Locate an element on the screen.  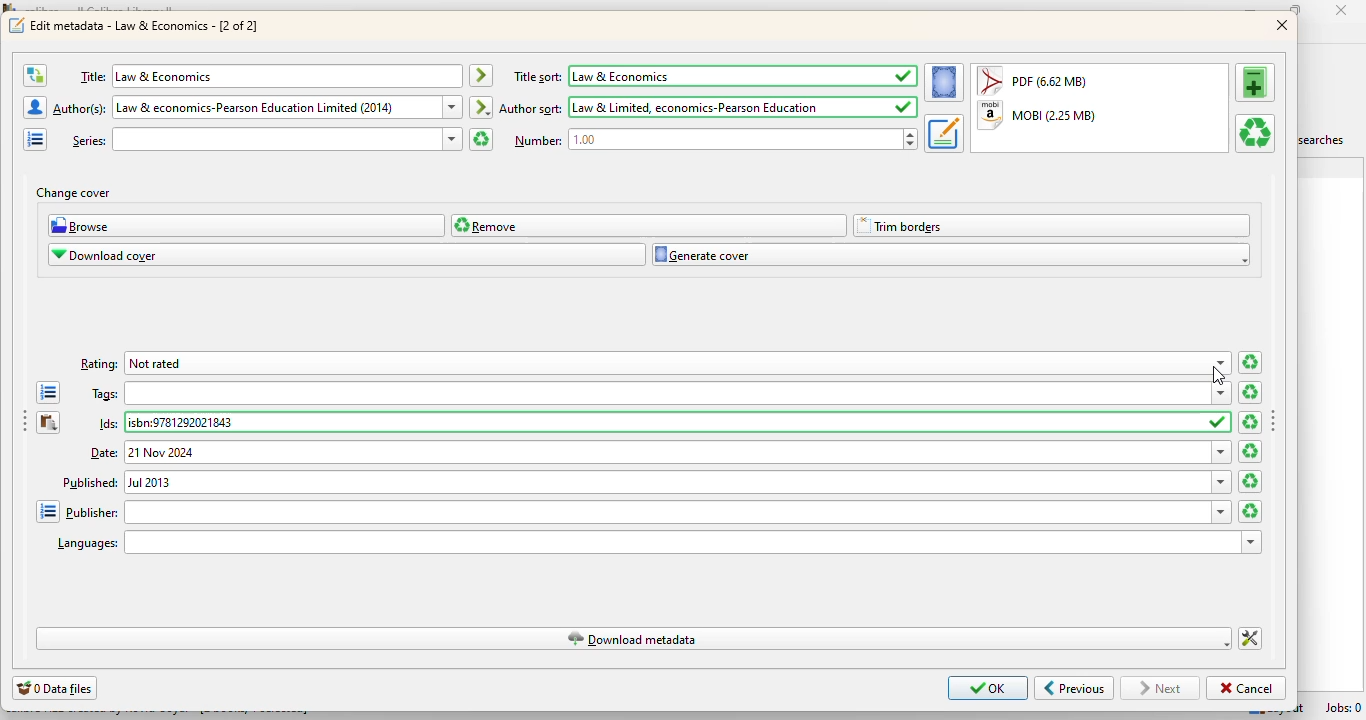
logo is located at coordinates (16, 26).